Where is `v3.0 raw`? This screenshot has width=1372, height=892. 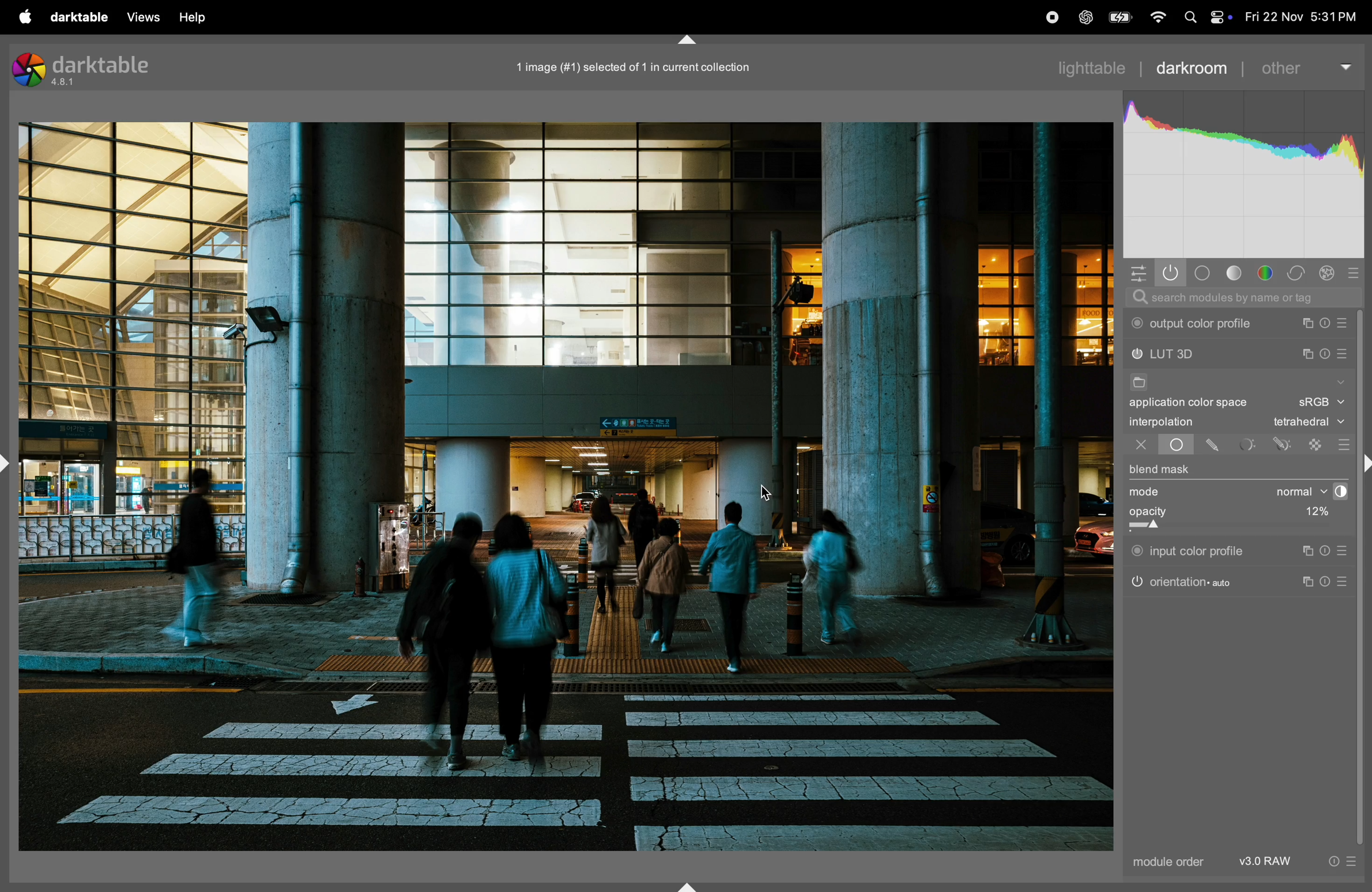 v3.0 raw is located at coordinates (1296, 864).